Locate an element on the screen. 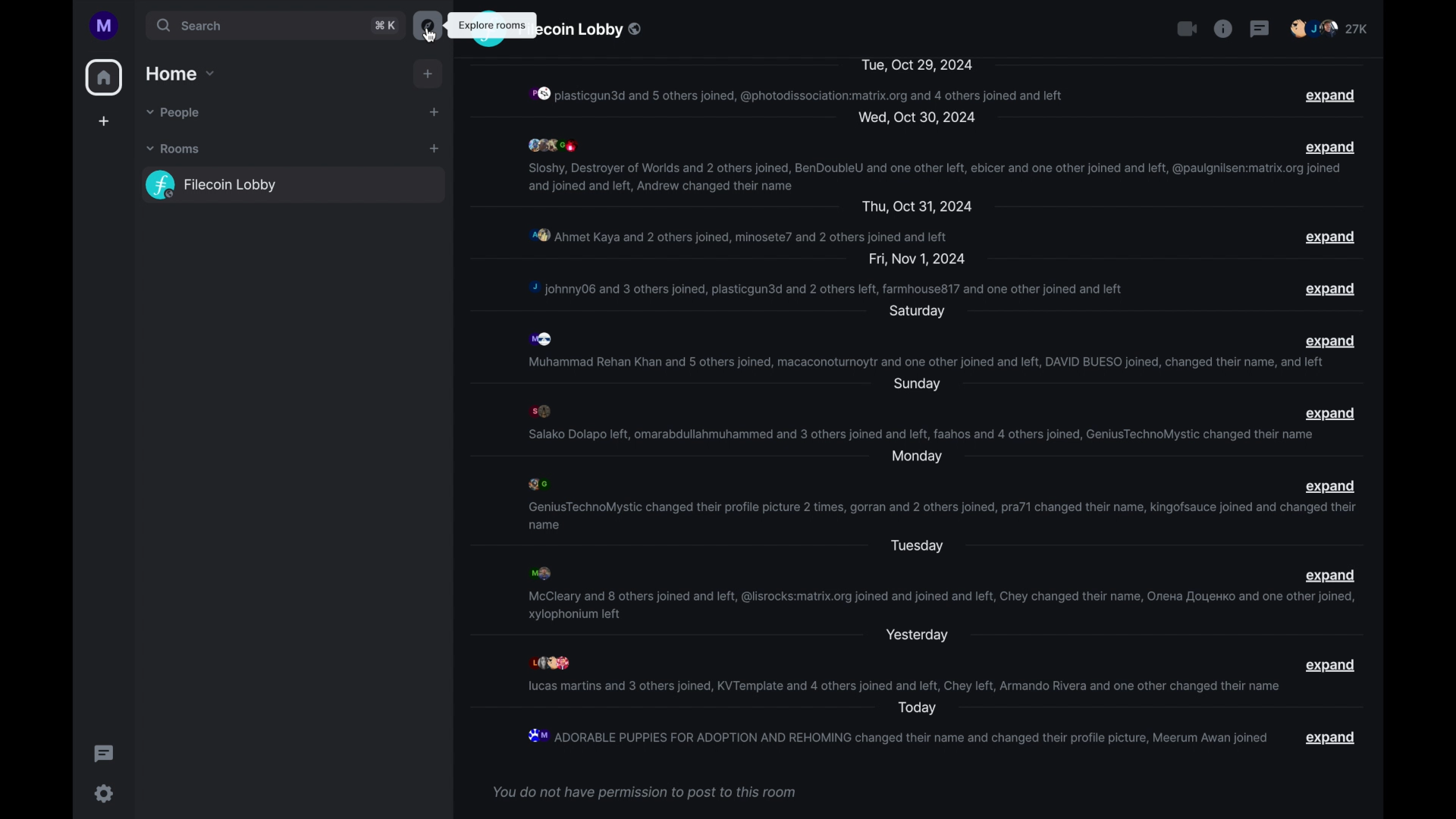 Image resolution: width=1456 pixels, height=819 pixels. participants is located at coordinates (538, 484).